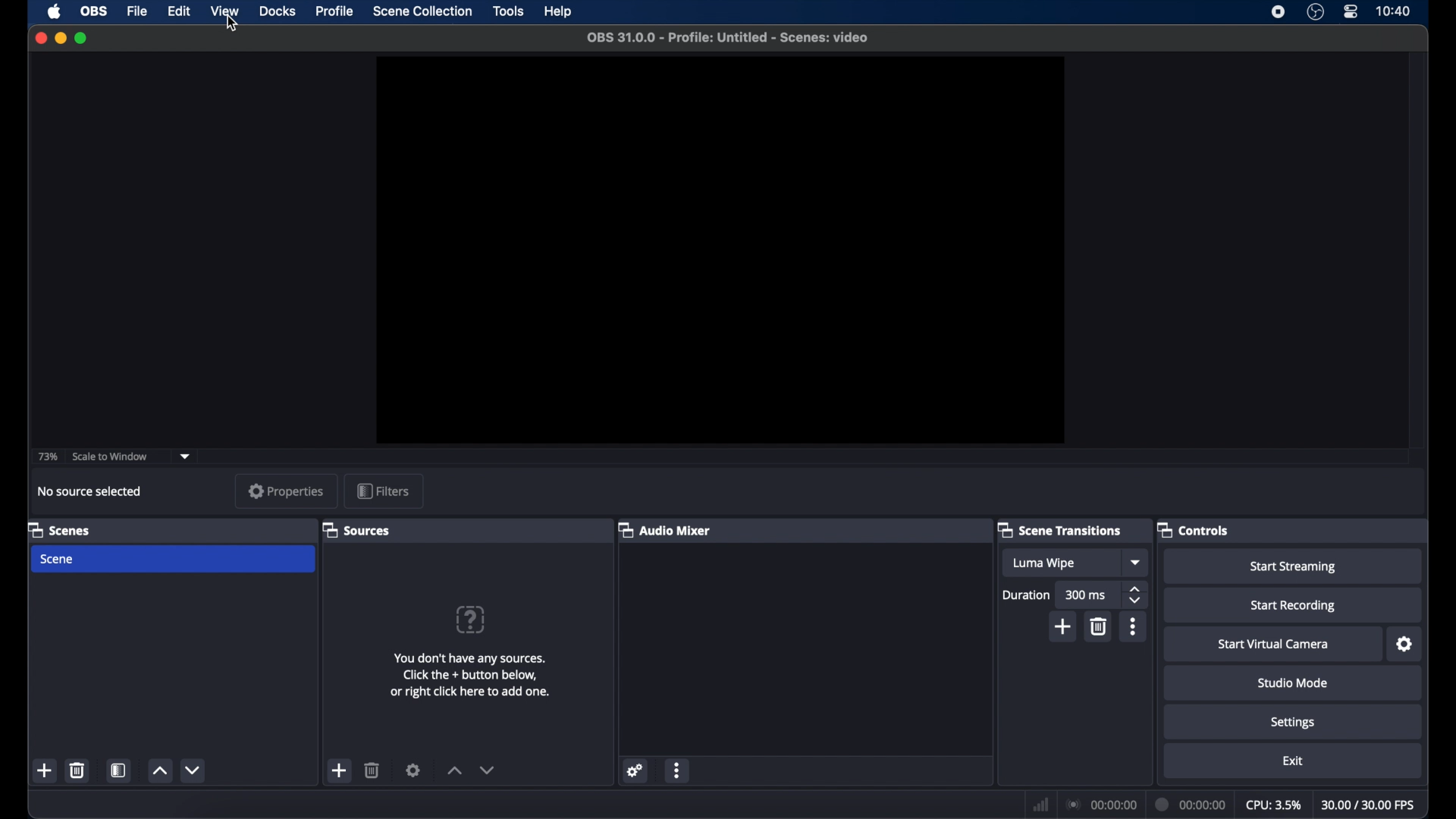 The height and width of the screenshot is (819, 1456). Describe the element at coordinates (1293, 721) in the screenshot. I see `settings` at that location.